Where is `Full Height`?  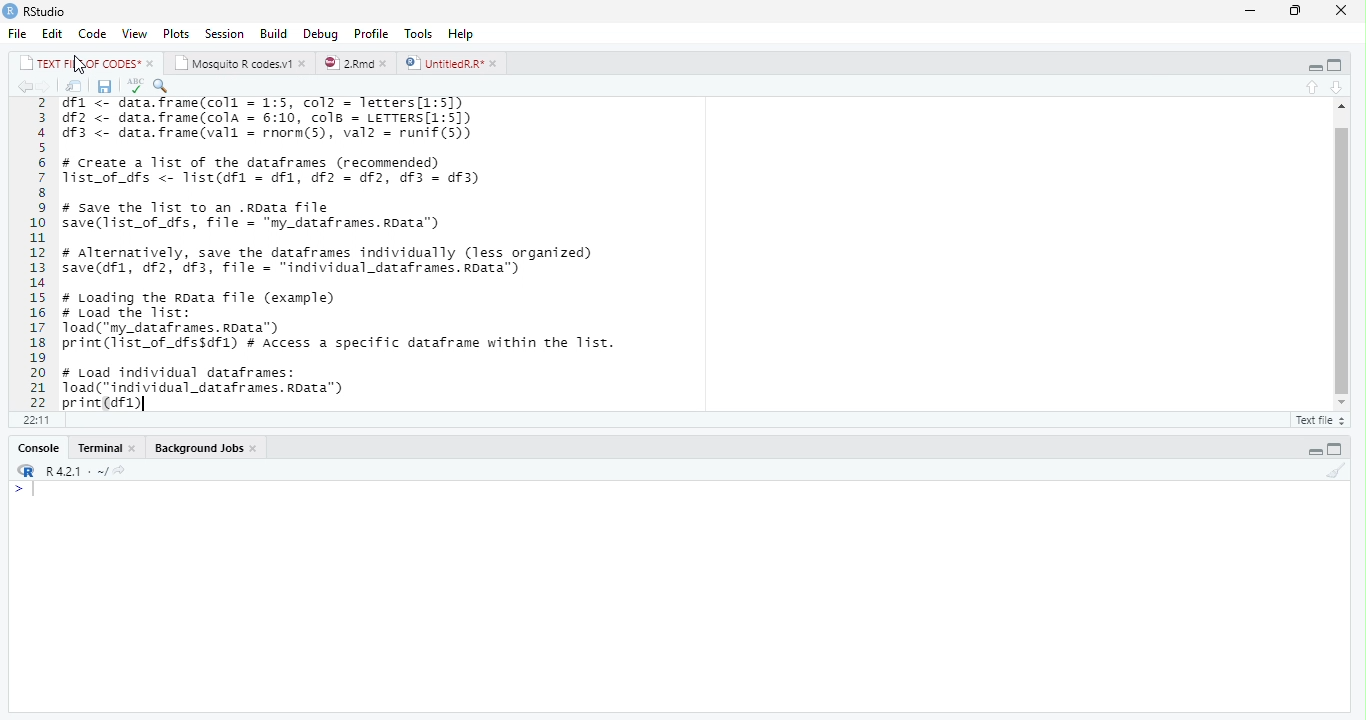 Full Height is located at coordinates (1337, 449).